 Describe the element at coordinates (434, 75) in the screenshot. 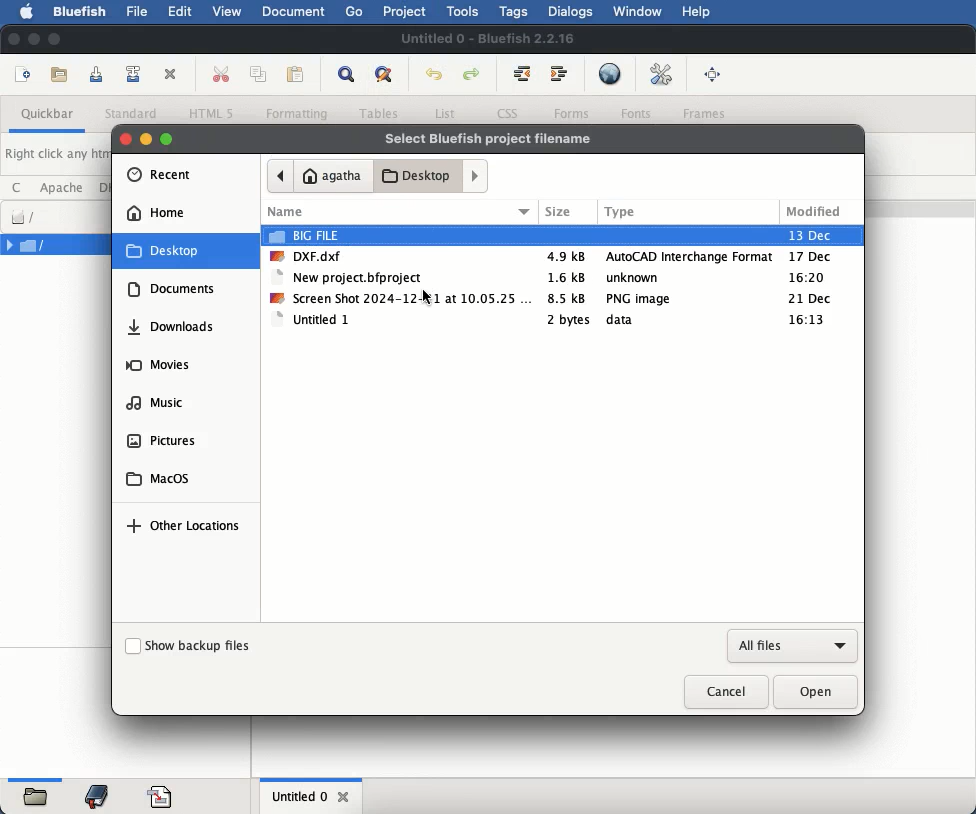

I see `undo` at that location.